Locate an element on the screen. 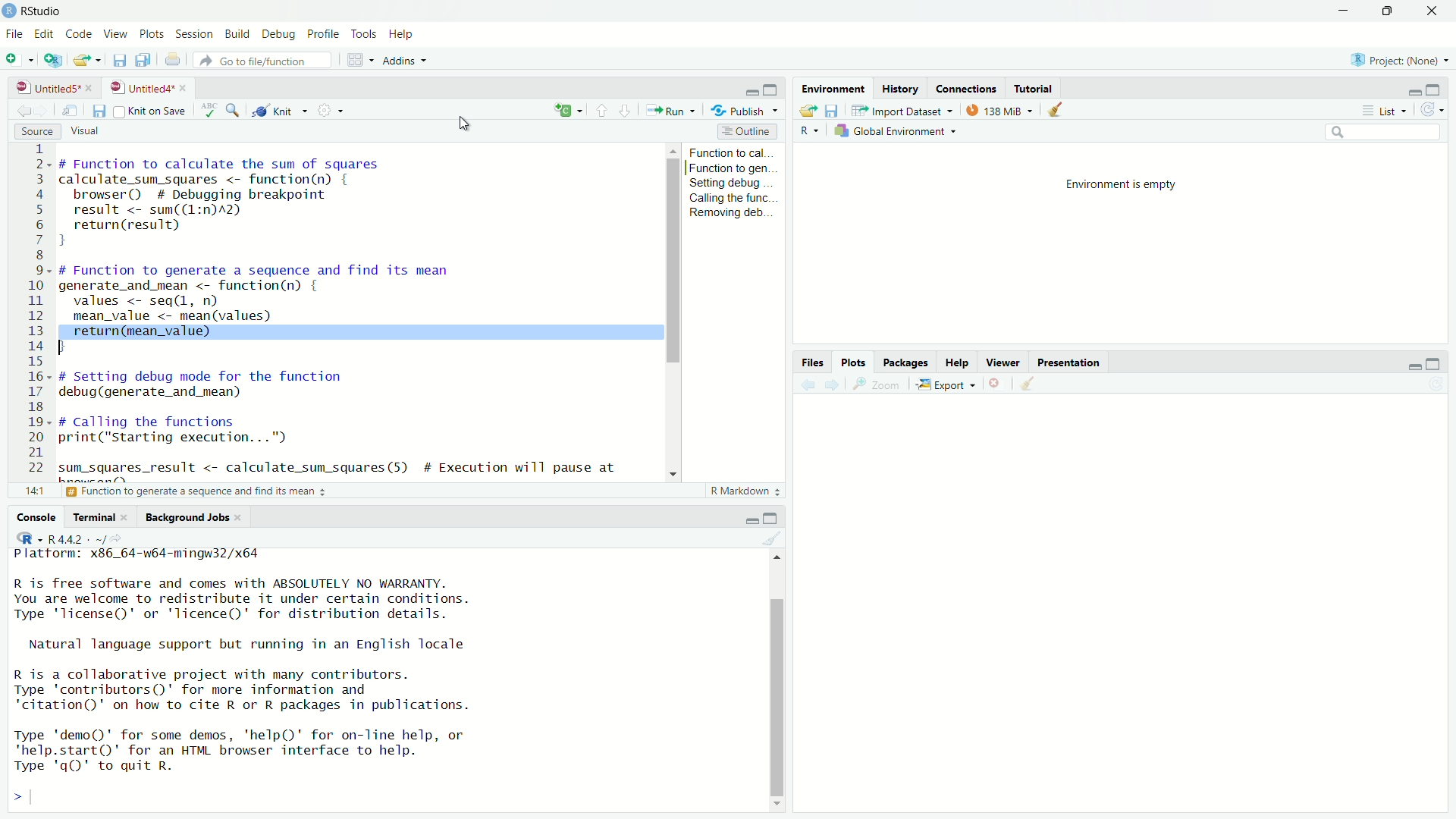 Image resolution: width=1456 pixels, height=819 pixels. logo is located at coordinates (10, 11).